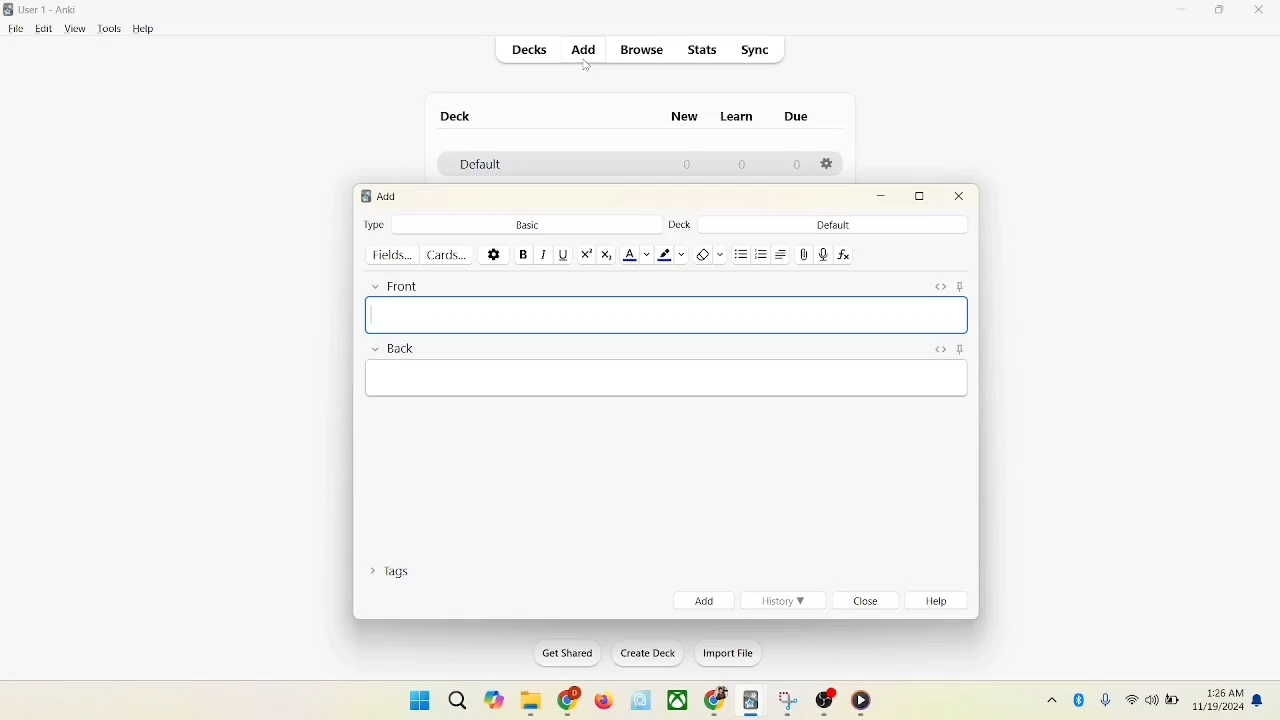 The image size is (1280, 720). I want to click on stats, so click(704, 51).